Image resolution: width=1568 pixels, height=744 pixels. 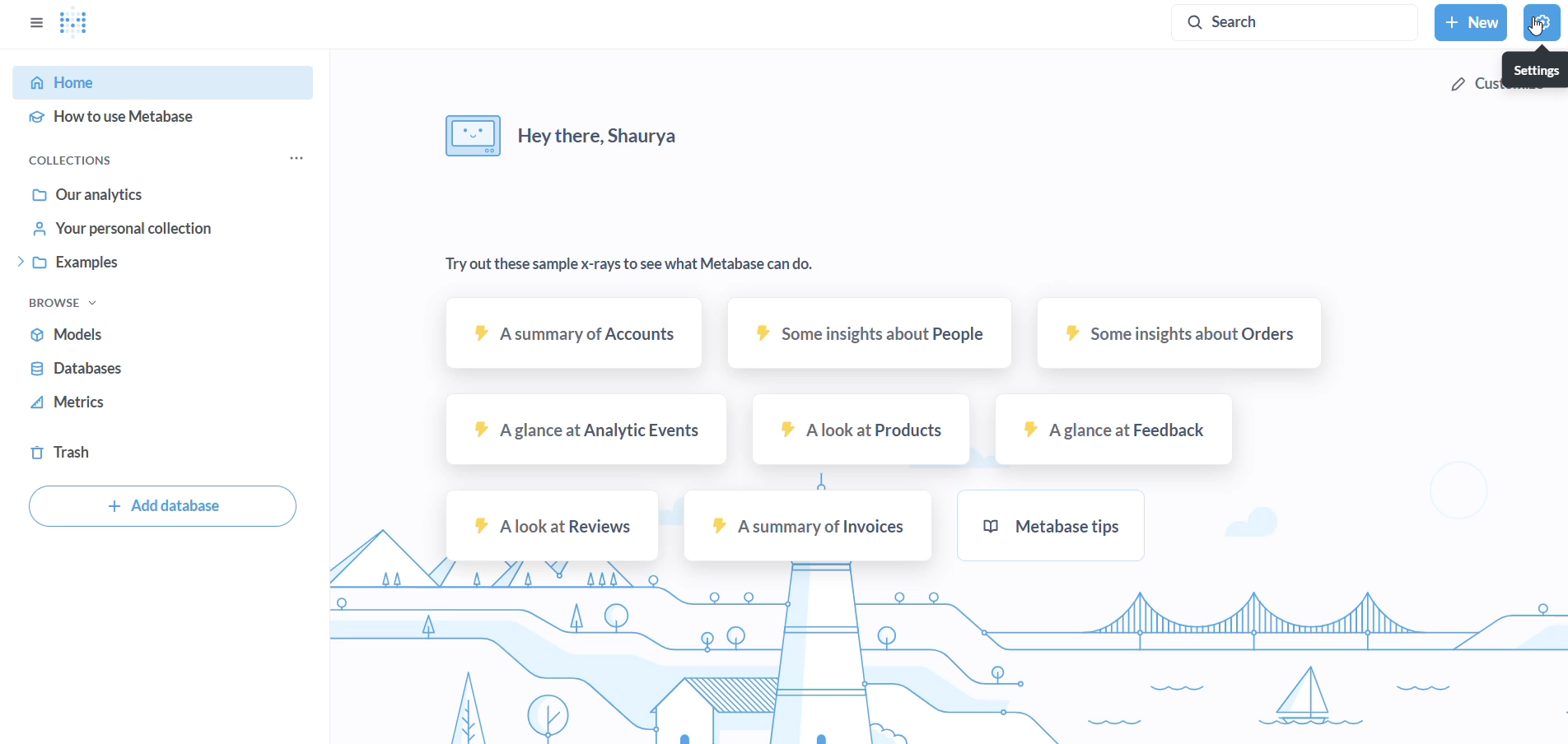 What do you see at coordinates (555, 526) in the screenshot?
I see `¥ Alook at Reviews` at bounding box center [555, 526].